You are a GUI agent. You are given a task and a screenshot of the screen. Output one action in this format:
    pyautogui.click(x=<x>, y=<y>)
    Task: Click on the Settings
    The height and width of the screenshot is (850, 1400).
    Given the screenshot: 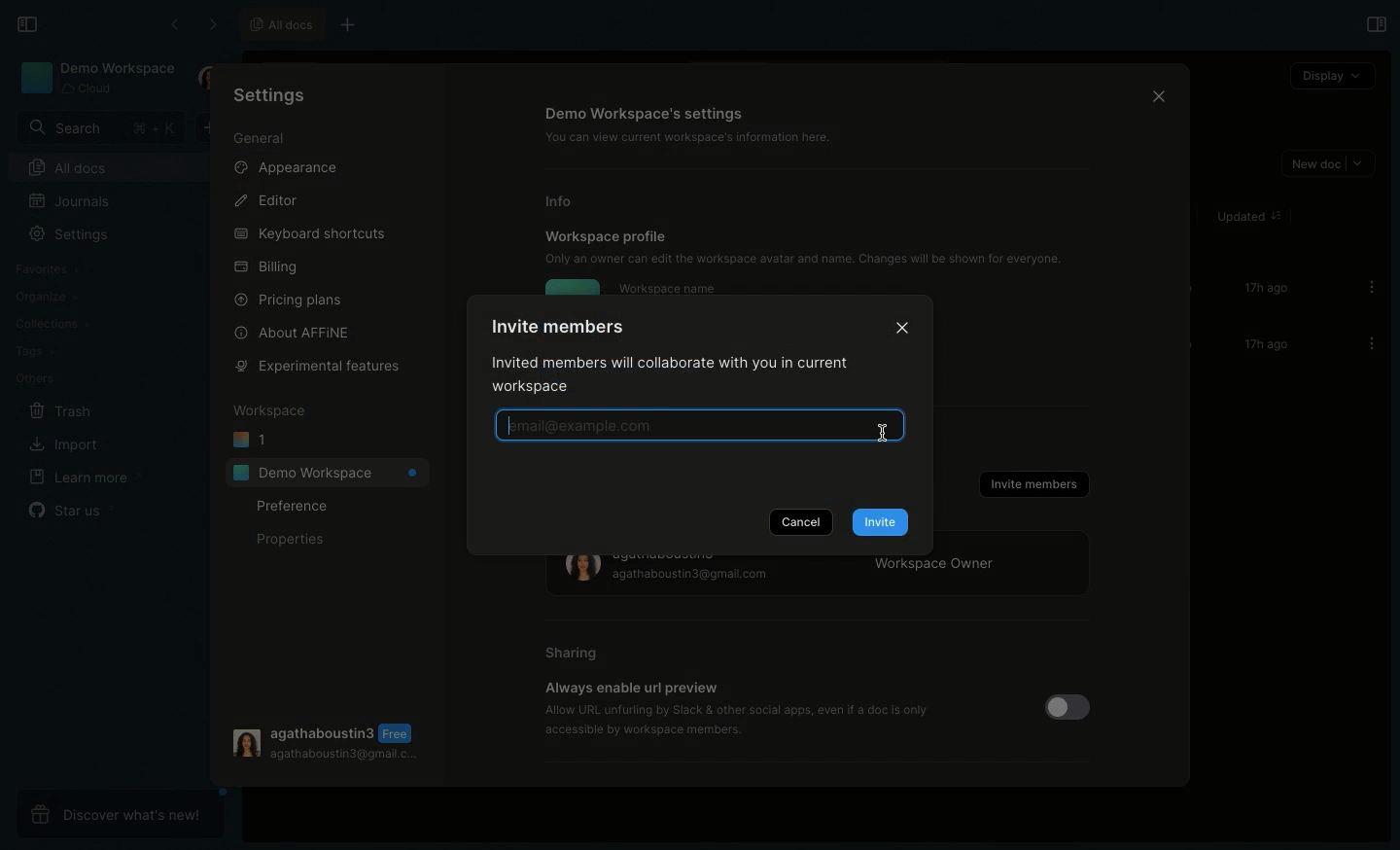 What is the action you would take?
    pyautogui.click(x=71, y=233)
    